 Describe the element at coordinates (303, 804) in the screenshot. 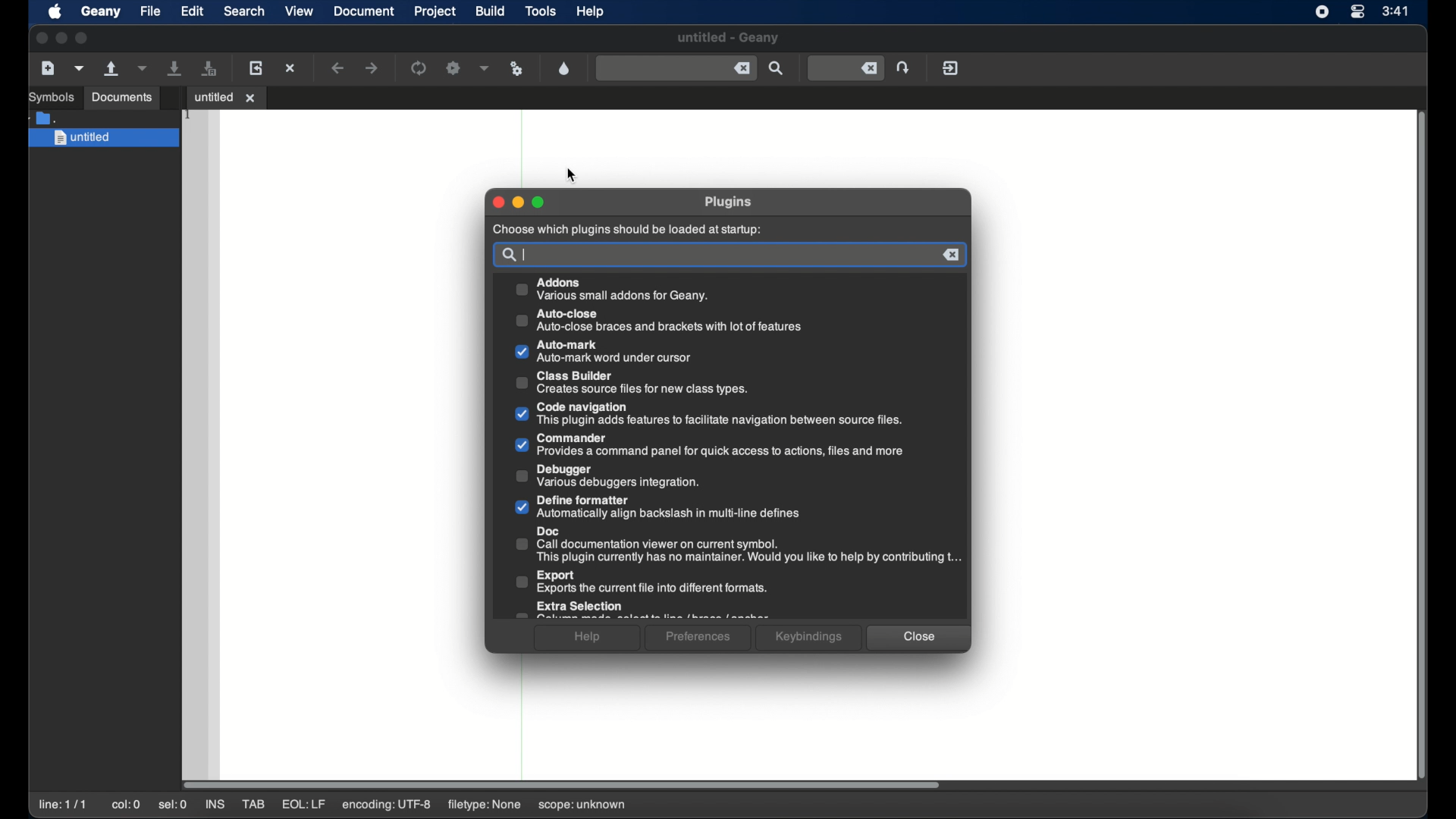

I see `eql: lf` at that location.